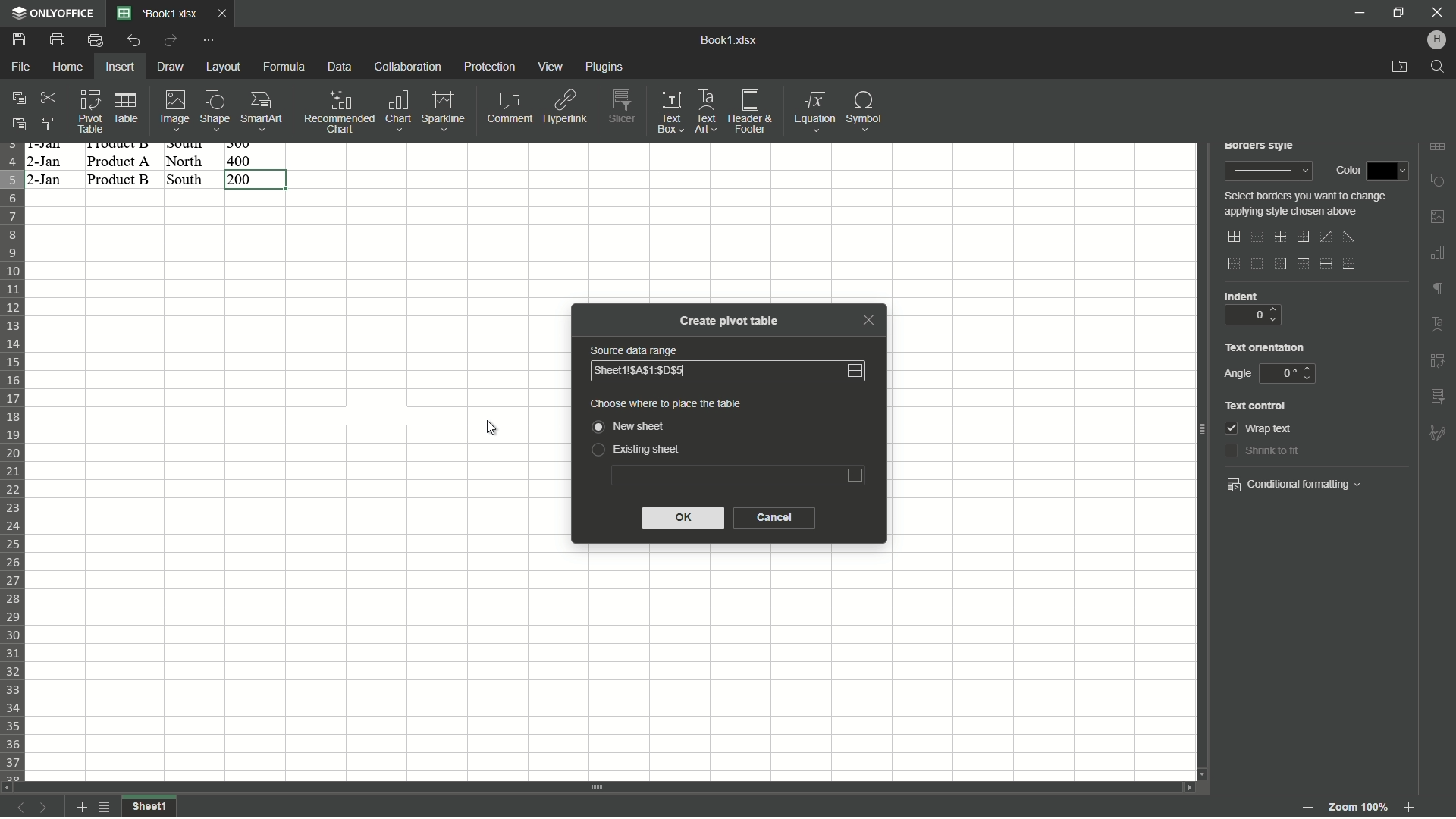 This screenshot has width=1456, height=819. What do you see at coordinates (1439, 362) in the screenshot?
I see `insert pivot table` at bounding box center [1439, 362].